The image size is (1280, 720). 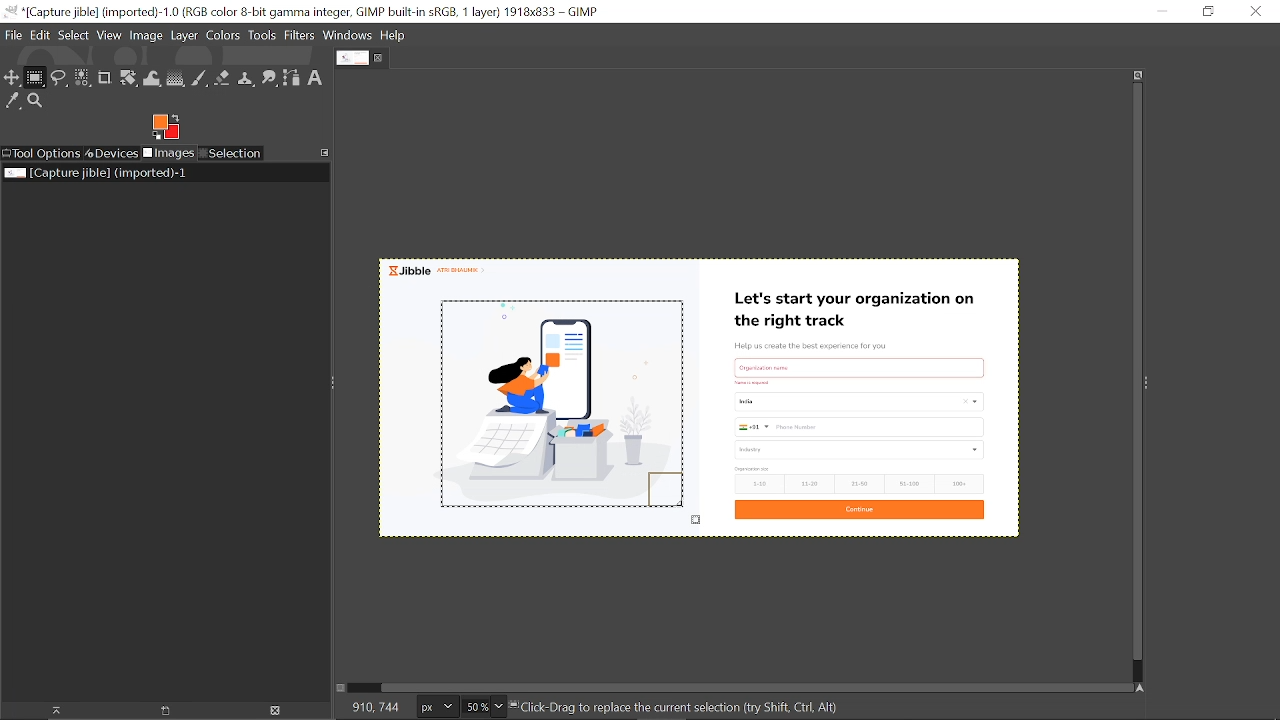 What do you see at coordinates (82, 79) in the screenshot?
I see `Select by color` at bounding box center [82, 79].